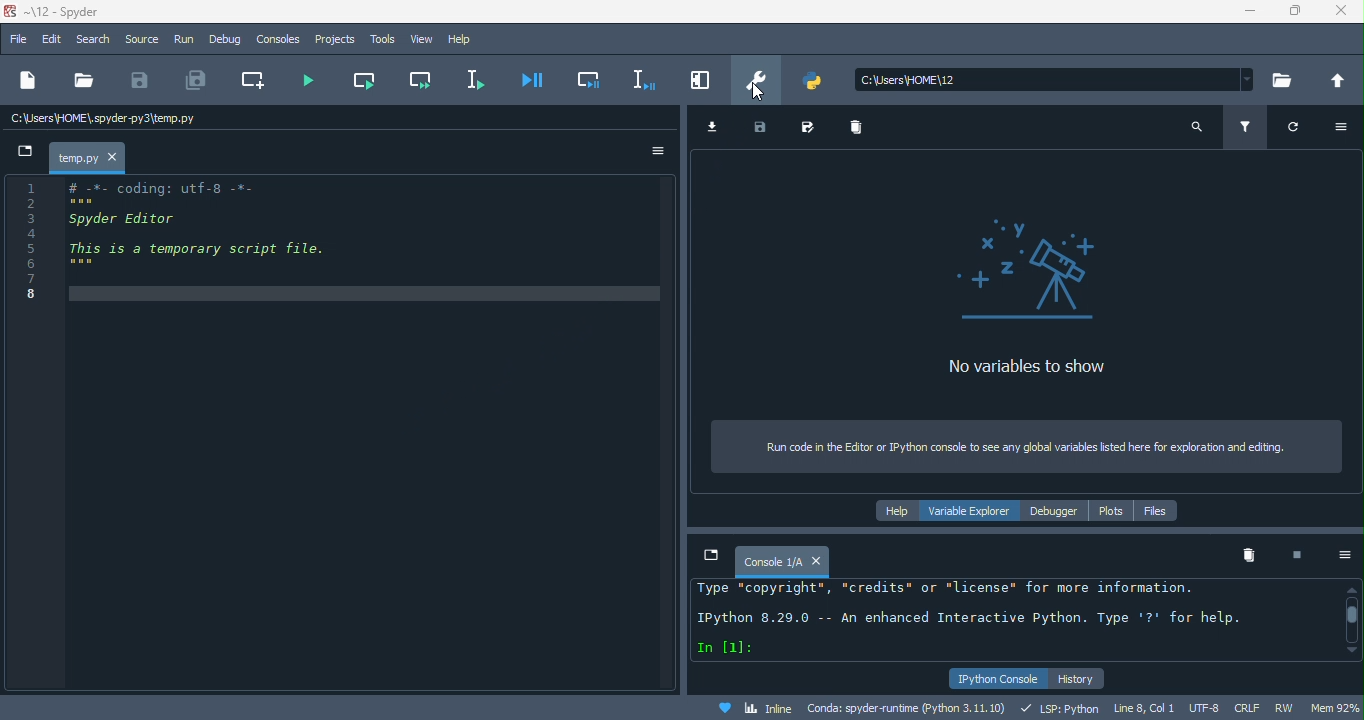 This screenshot has width=1364, height=720. Describe the element at coordinates (185, 41) in the screenshot. I see `run` at that location.